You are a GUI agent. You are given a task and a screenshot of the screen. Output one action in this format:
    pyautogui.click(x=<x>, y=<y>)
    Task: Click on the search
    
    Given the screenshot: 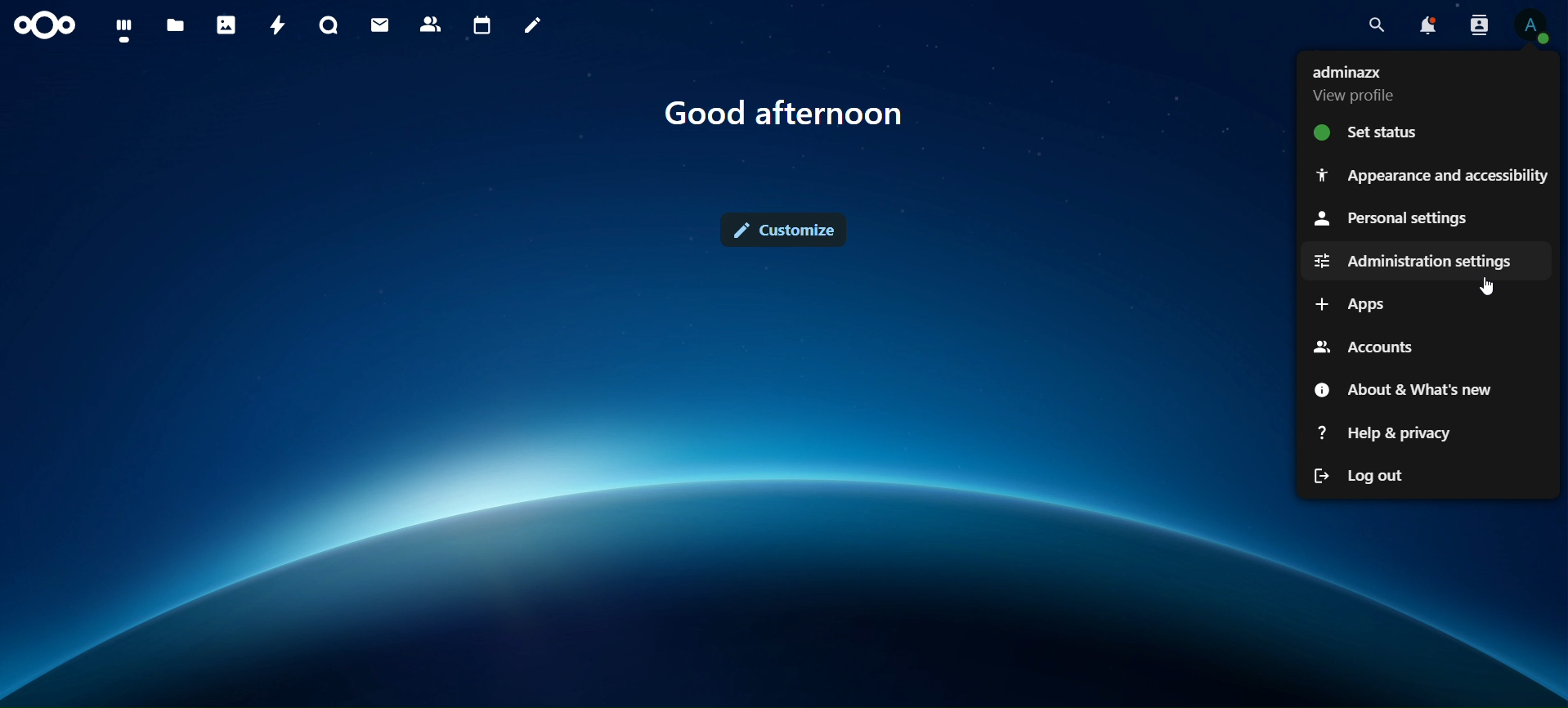 What is the action you would take?
    pyautogui.click(x=1375, y=21)
    